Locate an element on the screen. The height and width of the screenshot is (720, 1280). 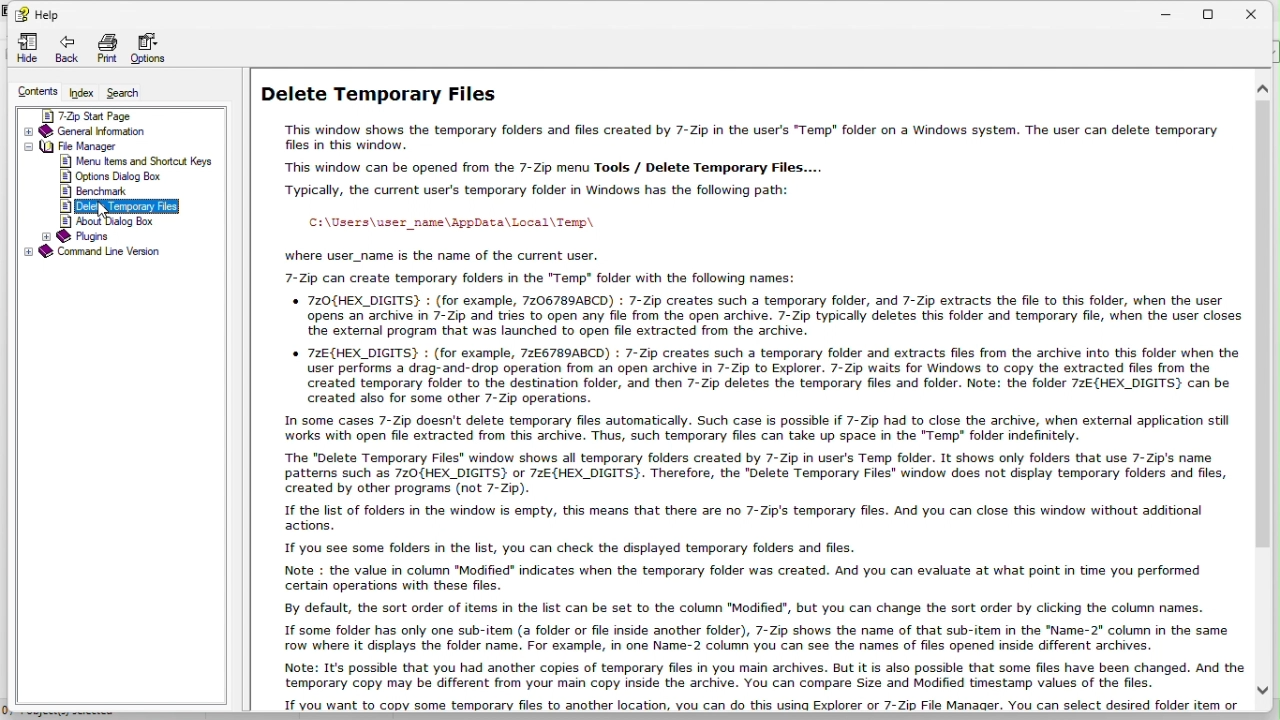
delete temporary files help page is located at coordinates (764, 393).